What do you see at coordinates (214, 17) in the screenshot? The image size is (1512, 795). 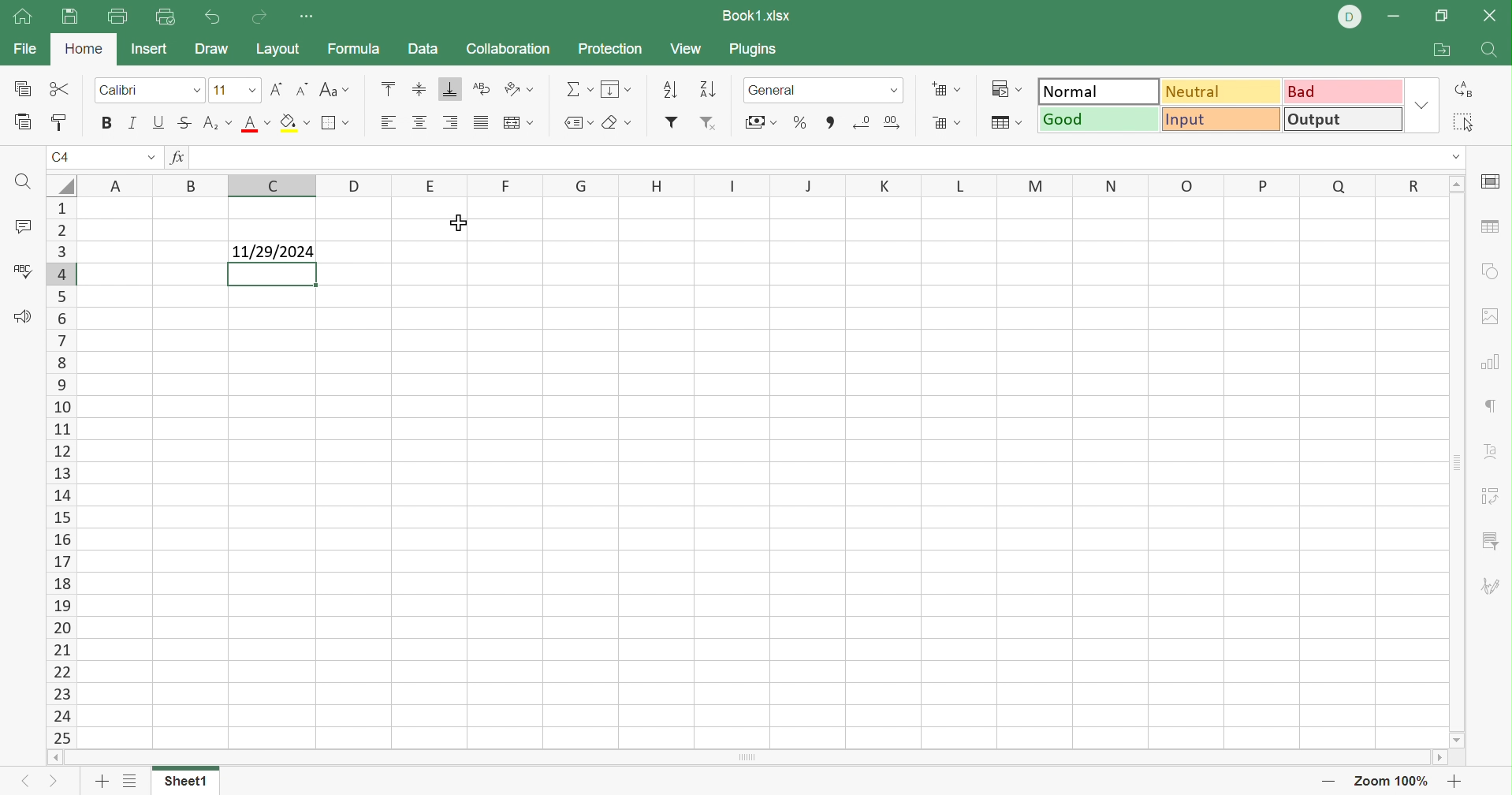 I see `Undo` at bounding box center [214, 17].